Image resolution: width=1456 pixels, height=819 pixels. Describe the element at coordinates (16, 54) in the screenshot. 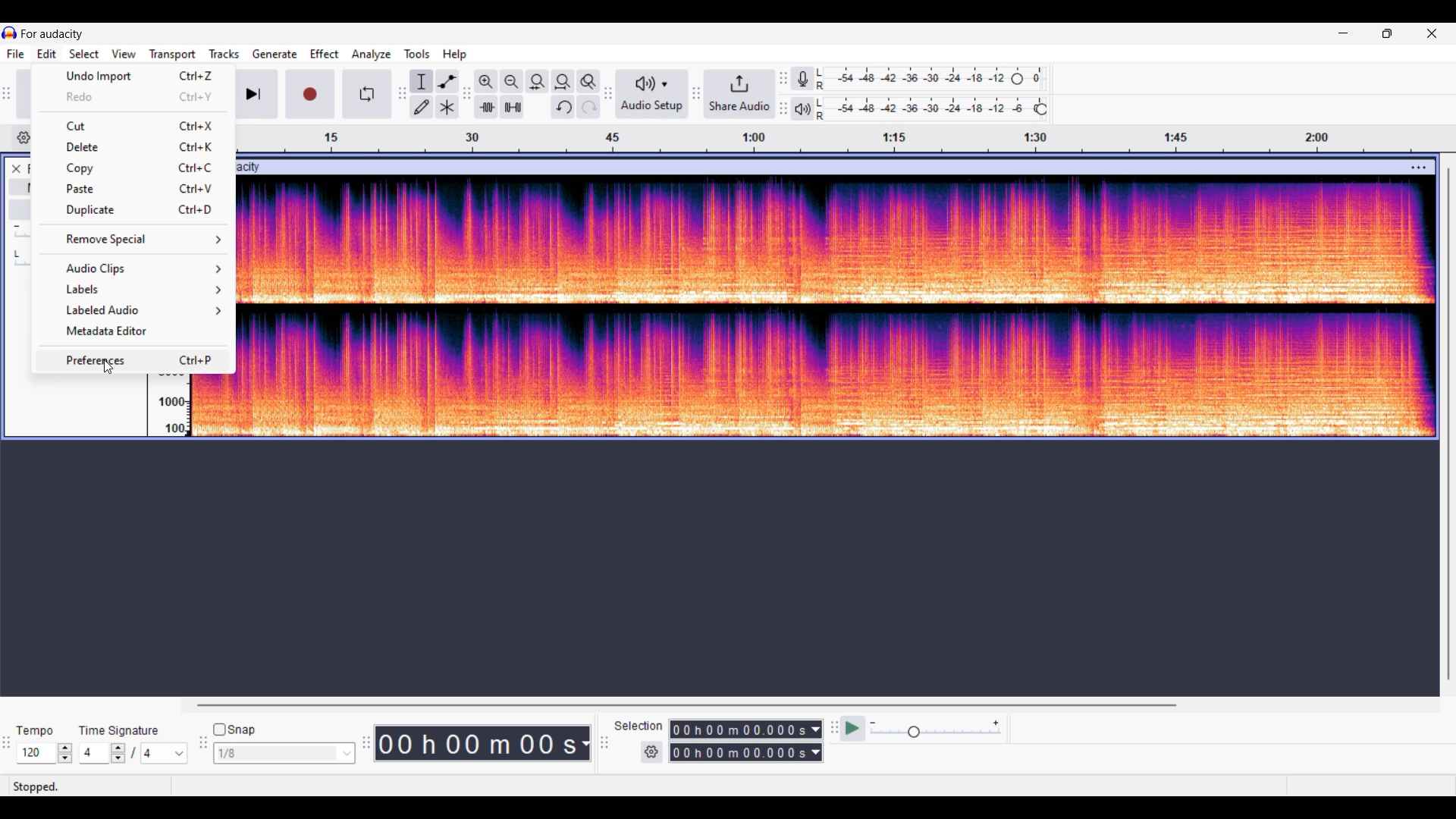

I see `File menu` at that location.